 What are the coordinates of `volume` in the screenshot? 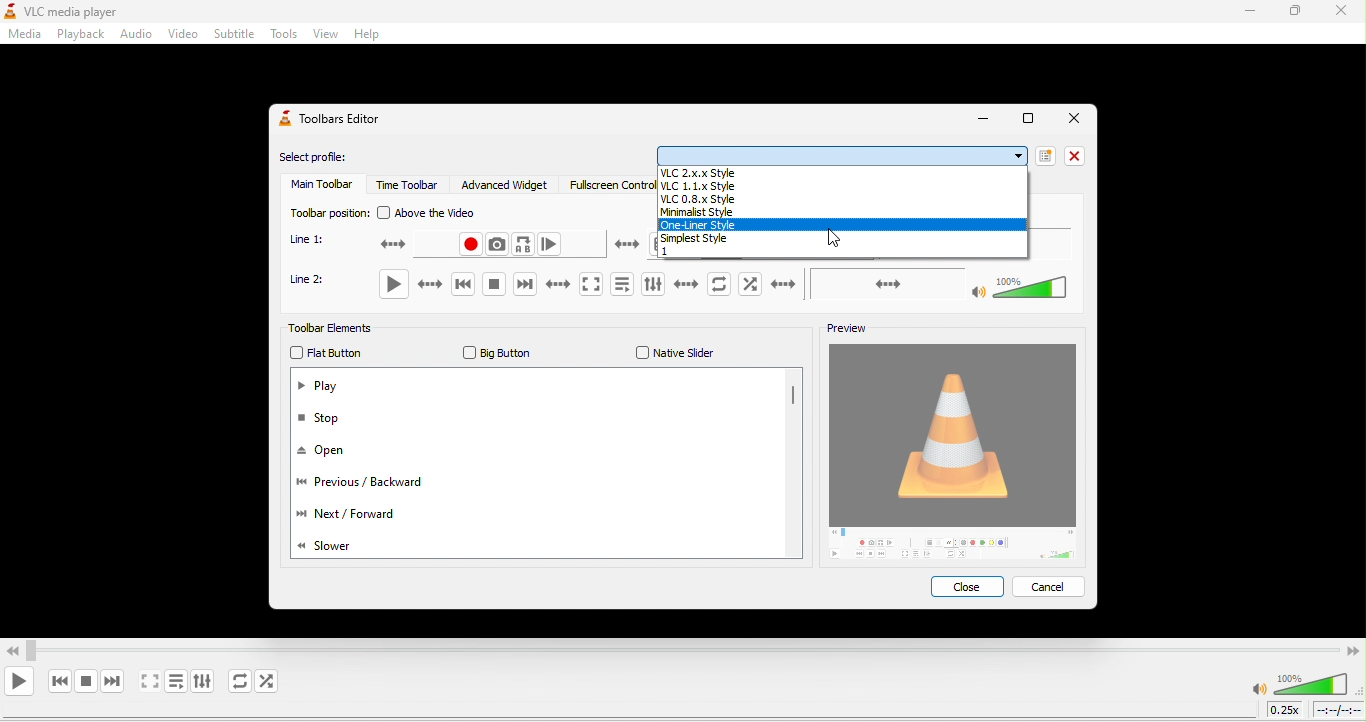 It's located at (1301, 683).